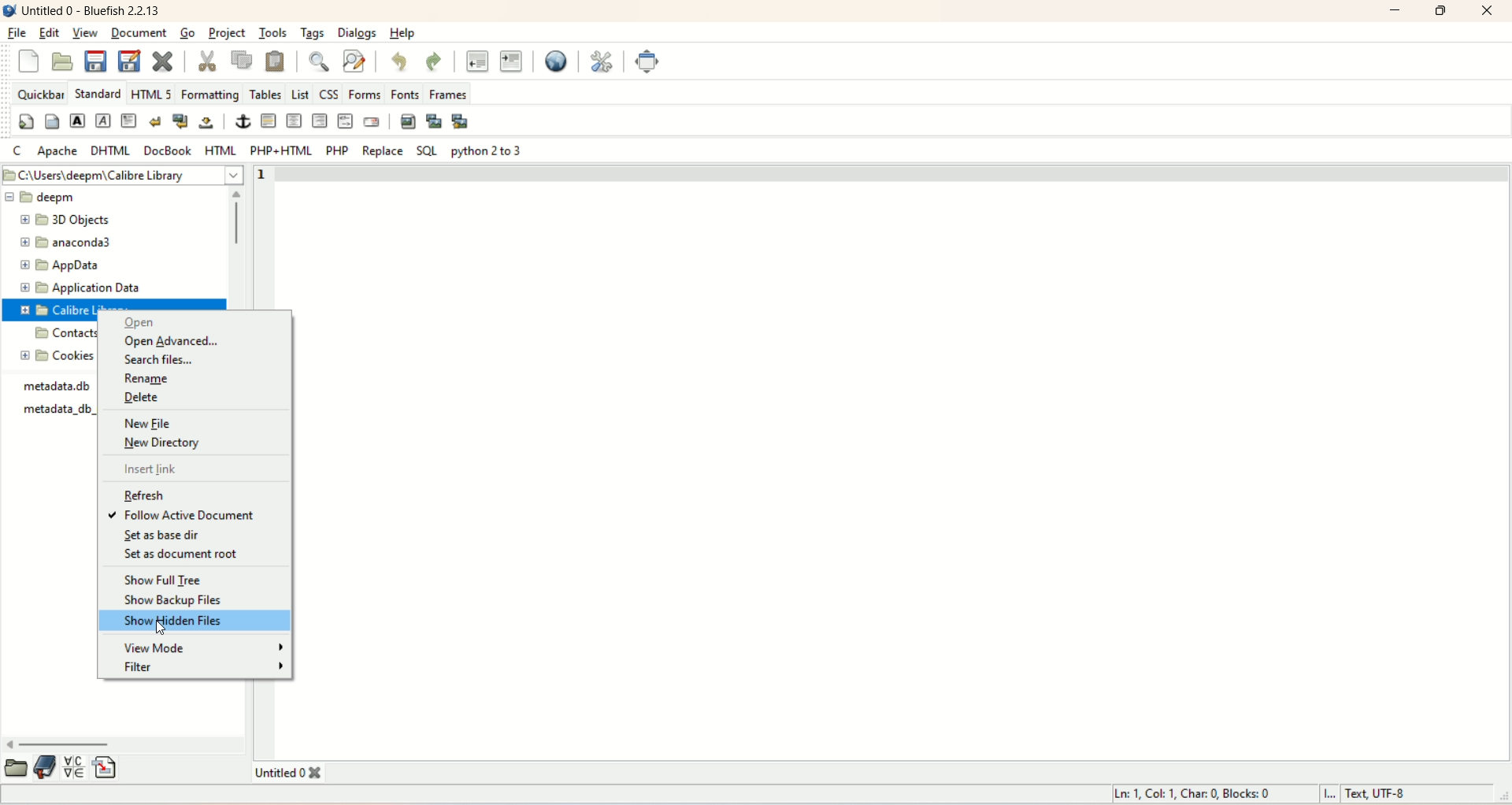 Image resolution: width=1512 pixels, height=805 pixels. What do you see at coordinates (432, 121) in the screenshot?
I see `insert thumbnail` at bounding box center [432, 121].